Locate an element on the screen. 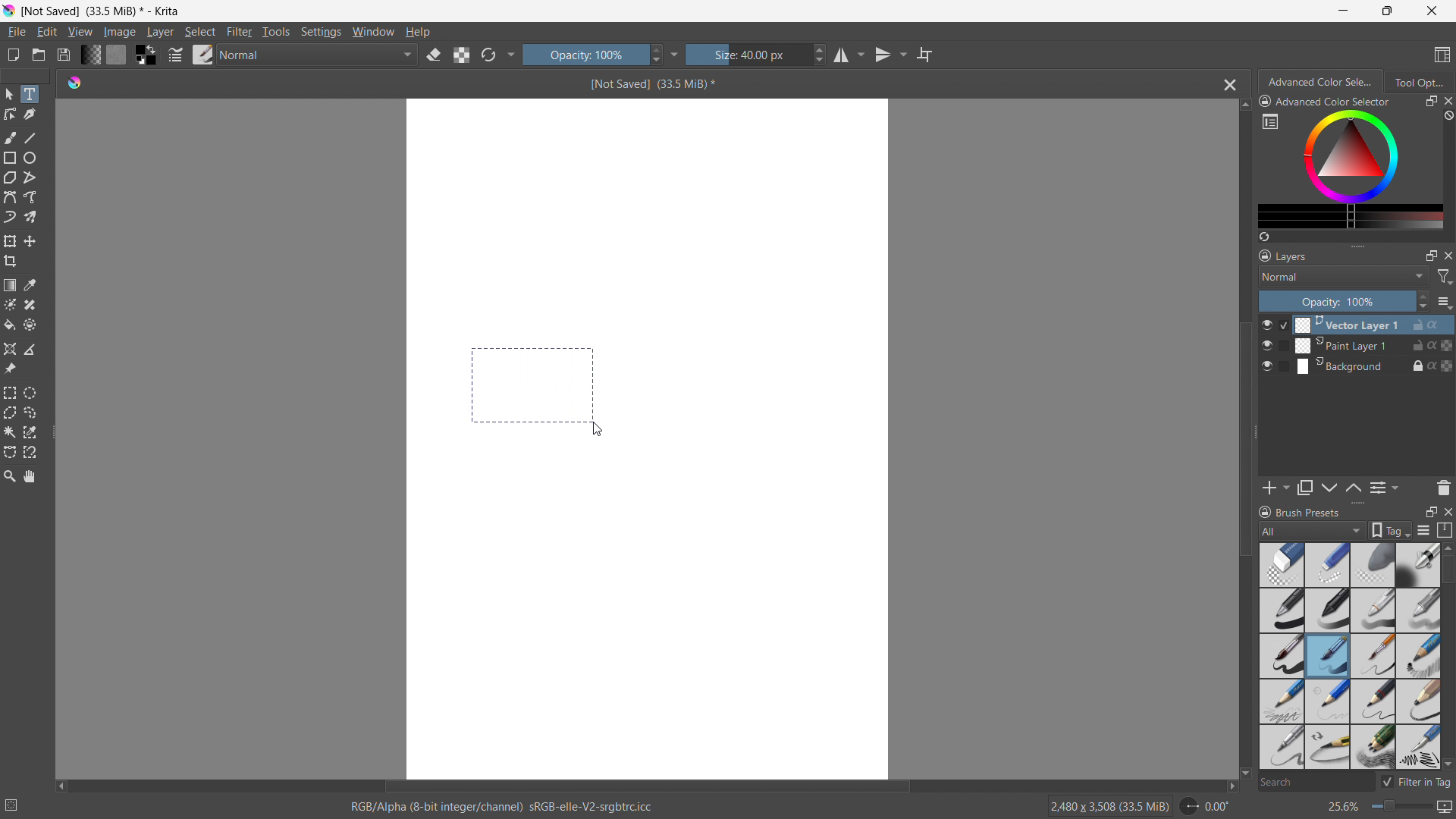 The width and height of the screenshot is (1456, 819). rectangular selection tool is located at coordinates (10, 393).